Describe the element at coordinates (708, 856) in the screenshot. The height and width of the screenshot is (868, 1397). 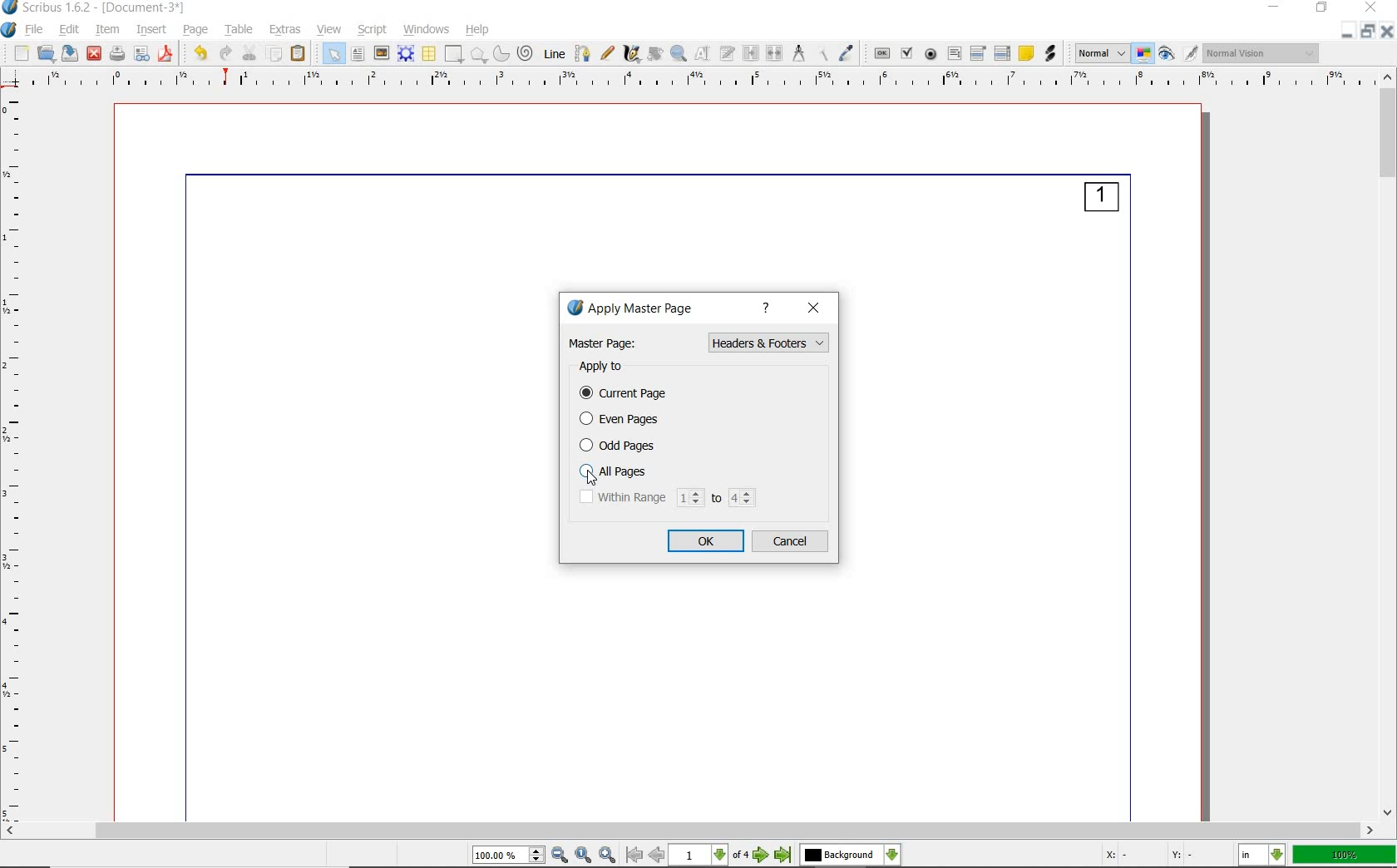
I see `select current page` at that location.